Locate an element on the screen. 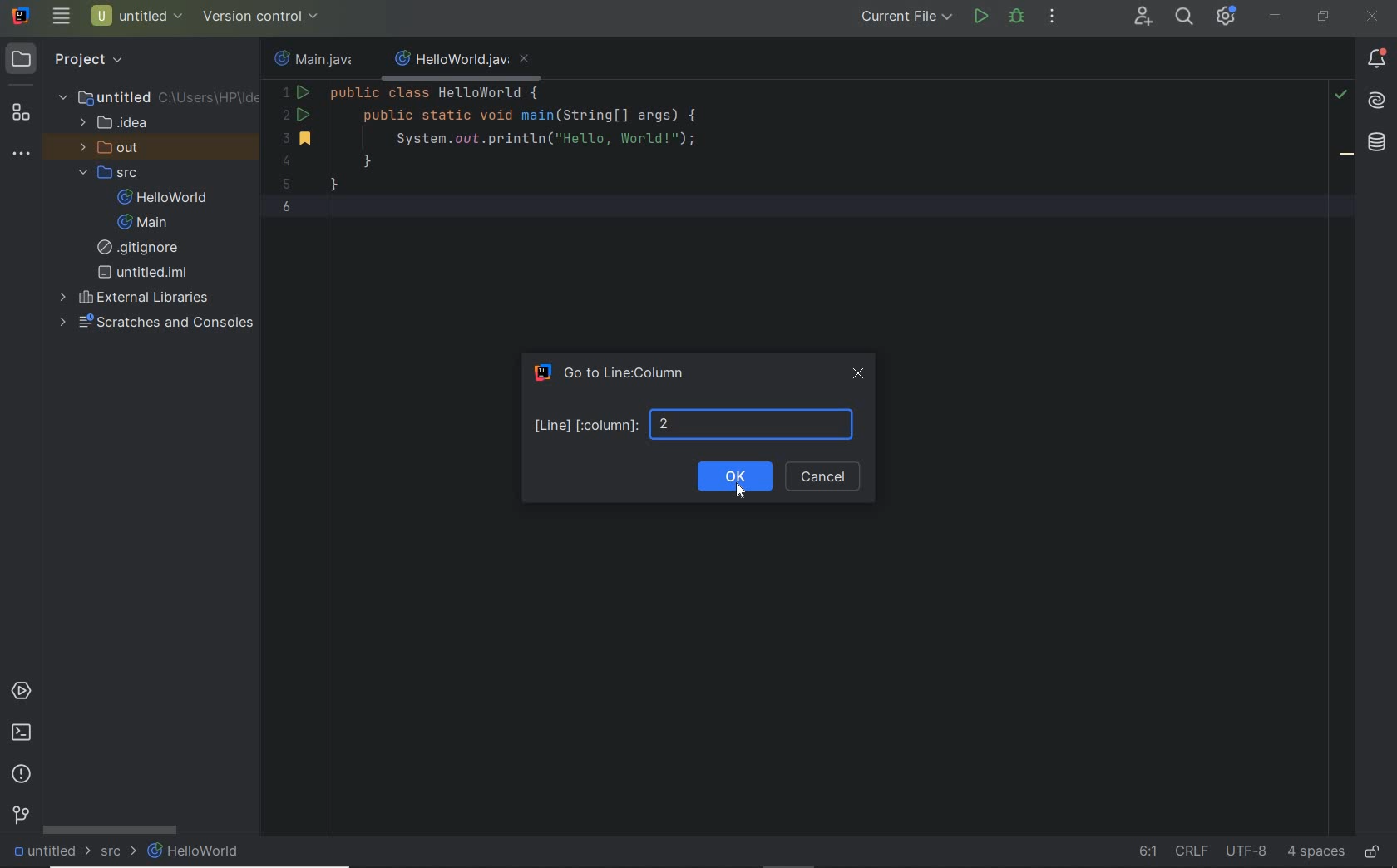  gitignore is located at coordinates (144, 248).